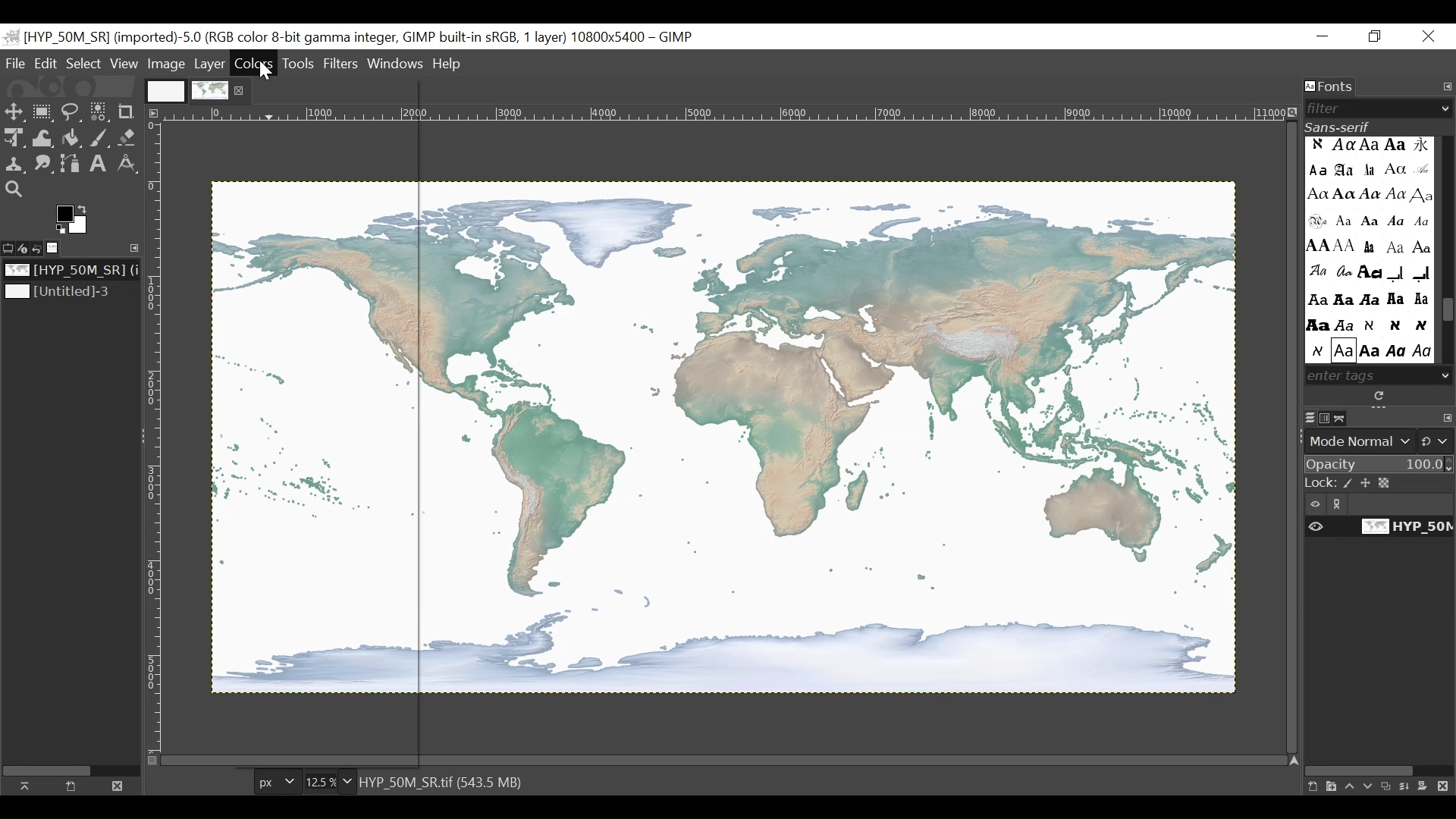 Image resolution: width=1456 pixels, height=819 pixels. I want to click on Enter Tags, so click(1368, 249).